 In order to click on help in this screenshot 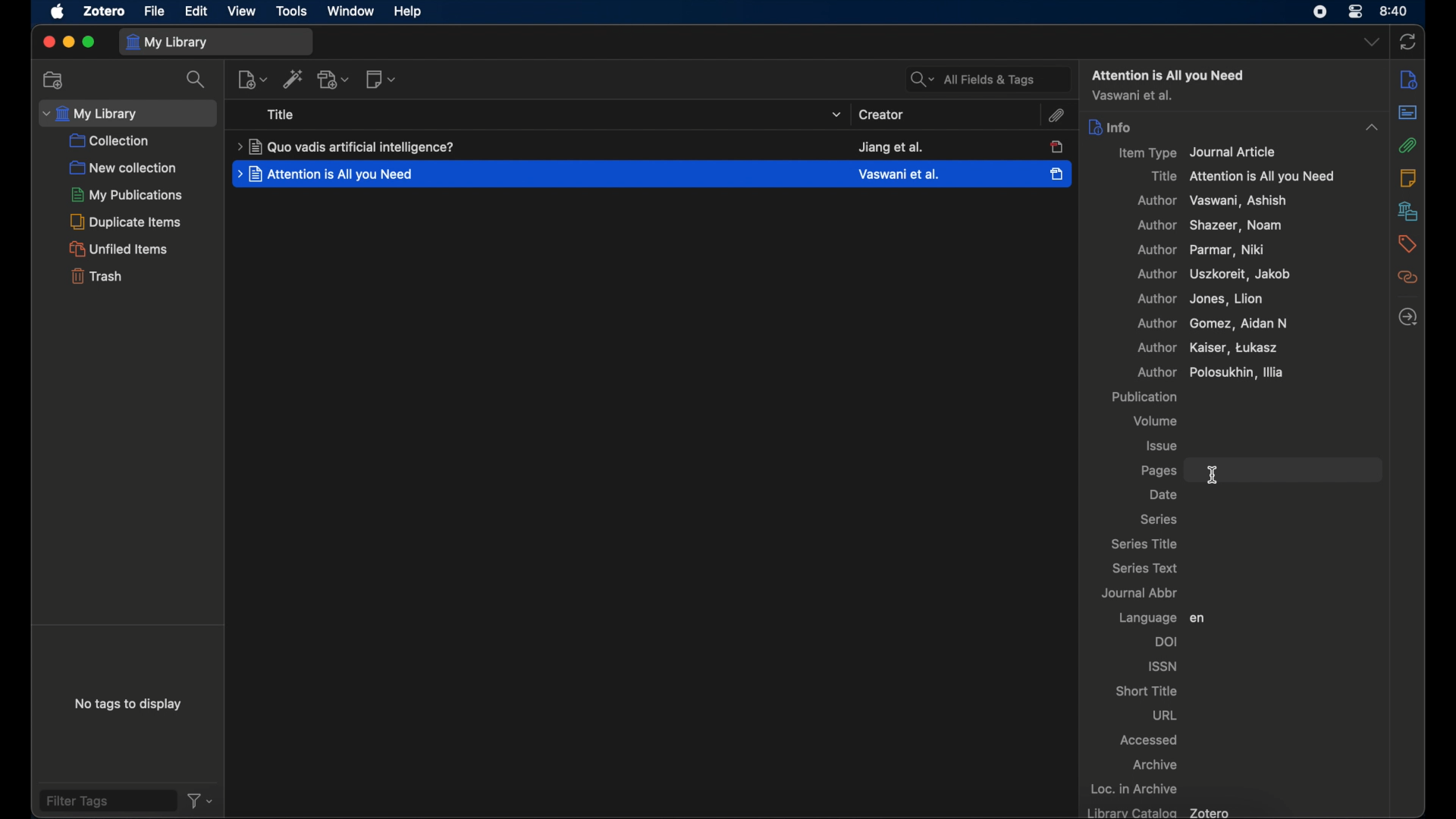, I will do `click(409, 12)`.